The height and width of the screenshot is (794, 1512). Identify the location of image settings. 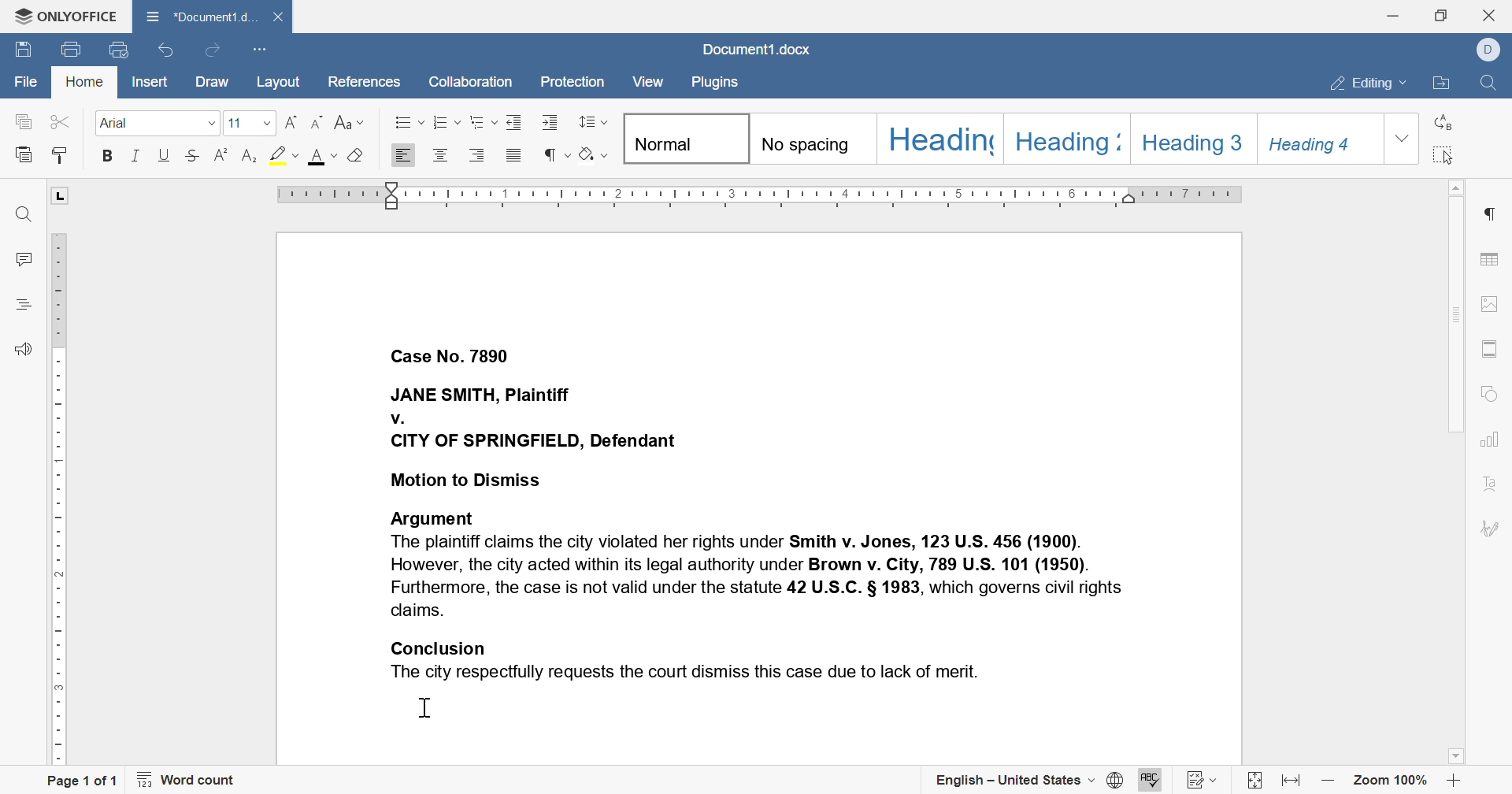
(1488, 304).